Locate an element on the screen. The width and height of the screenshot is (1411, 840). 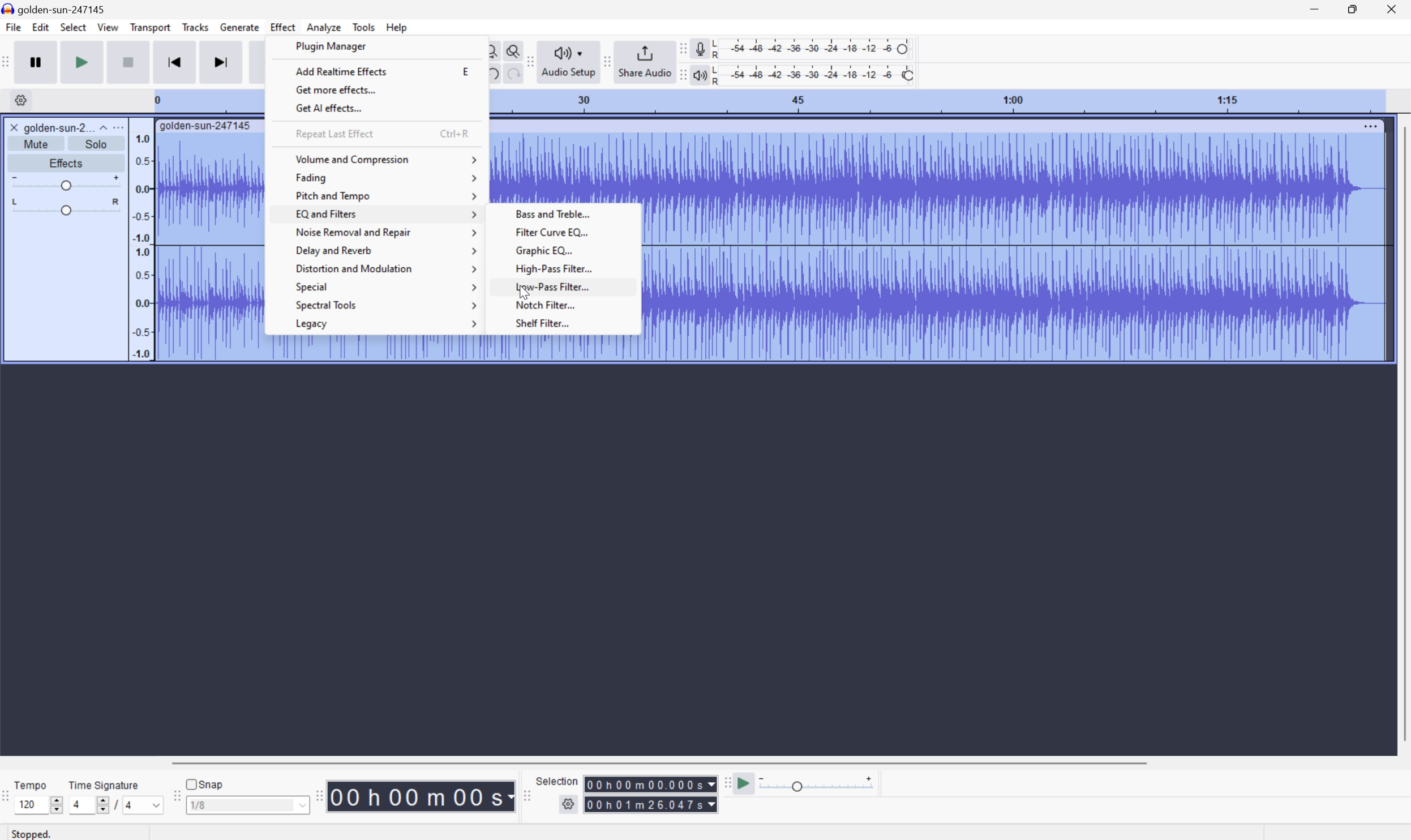
Bass and treble... is located at coordinates (572, 216).